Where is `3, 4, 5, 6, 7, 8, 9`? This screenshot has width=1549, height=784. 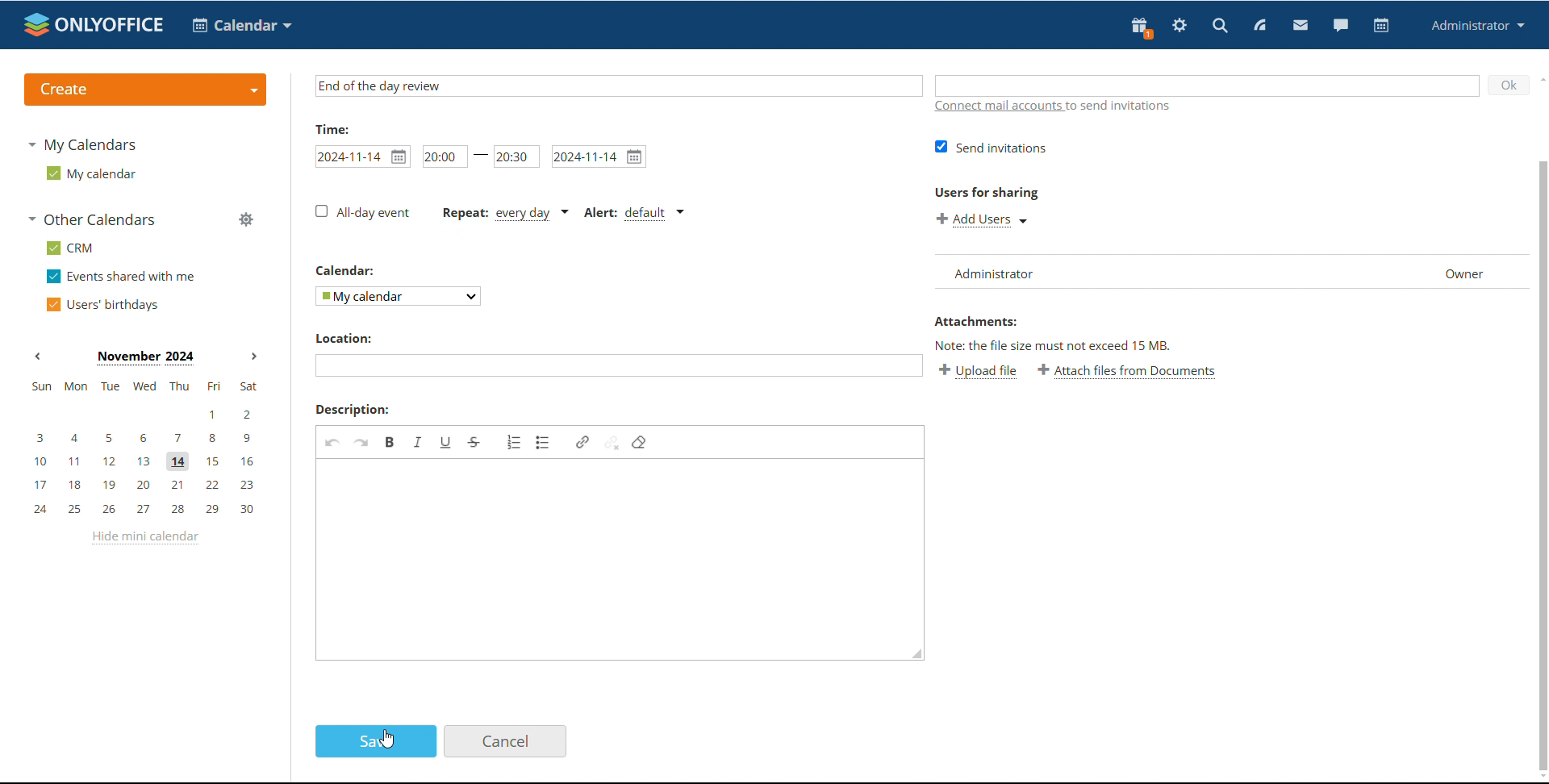
3, 4, 5, 6, 7, 8, 9 is located at coordinates (144, 436).